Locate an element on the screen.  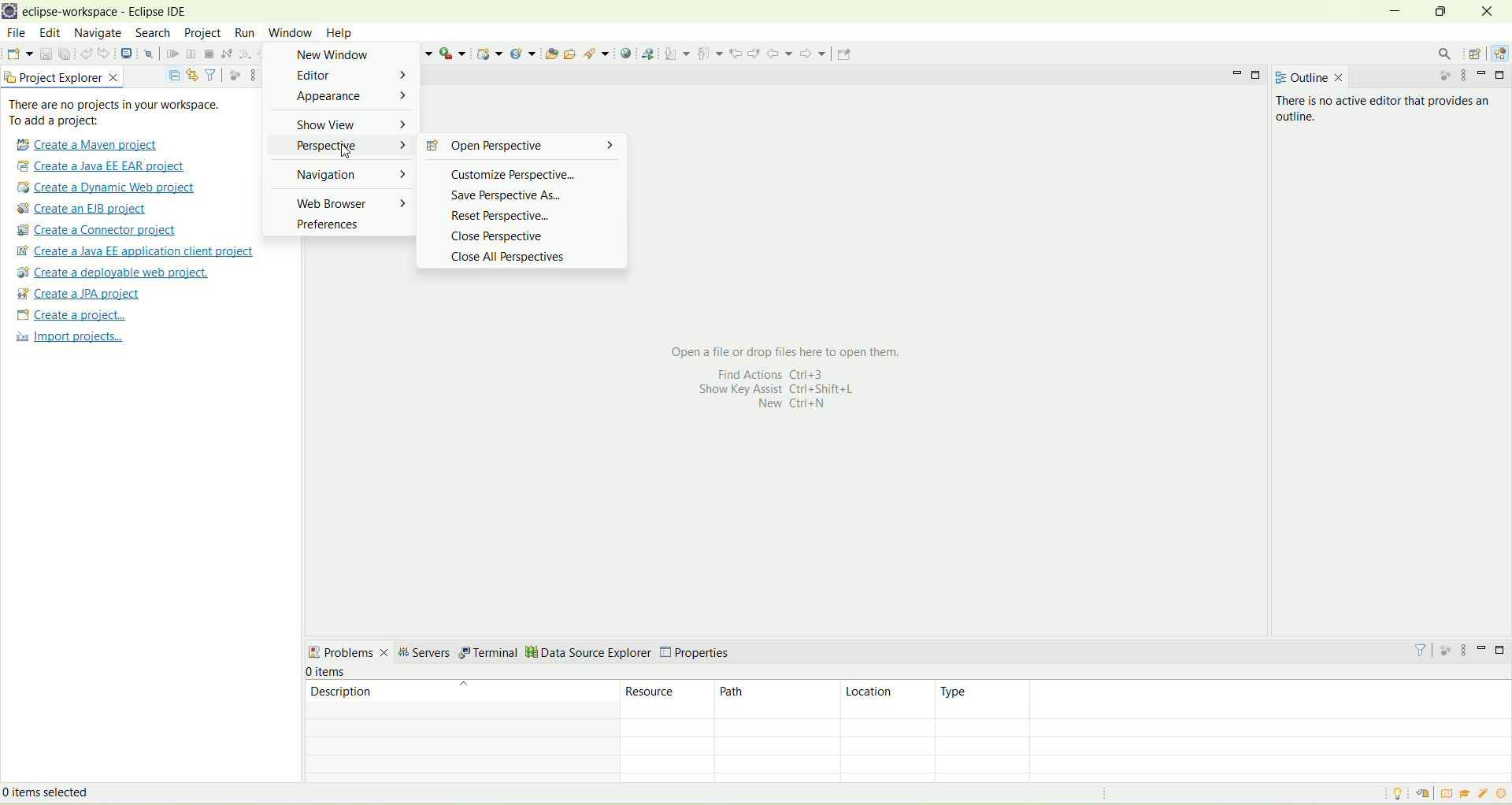
run last tool is located at coordinates (451, 54).